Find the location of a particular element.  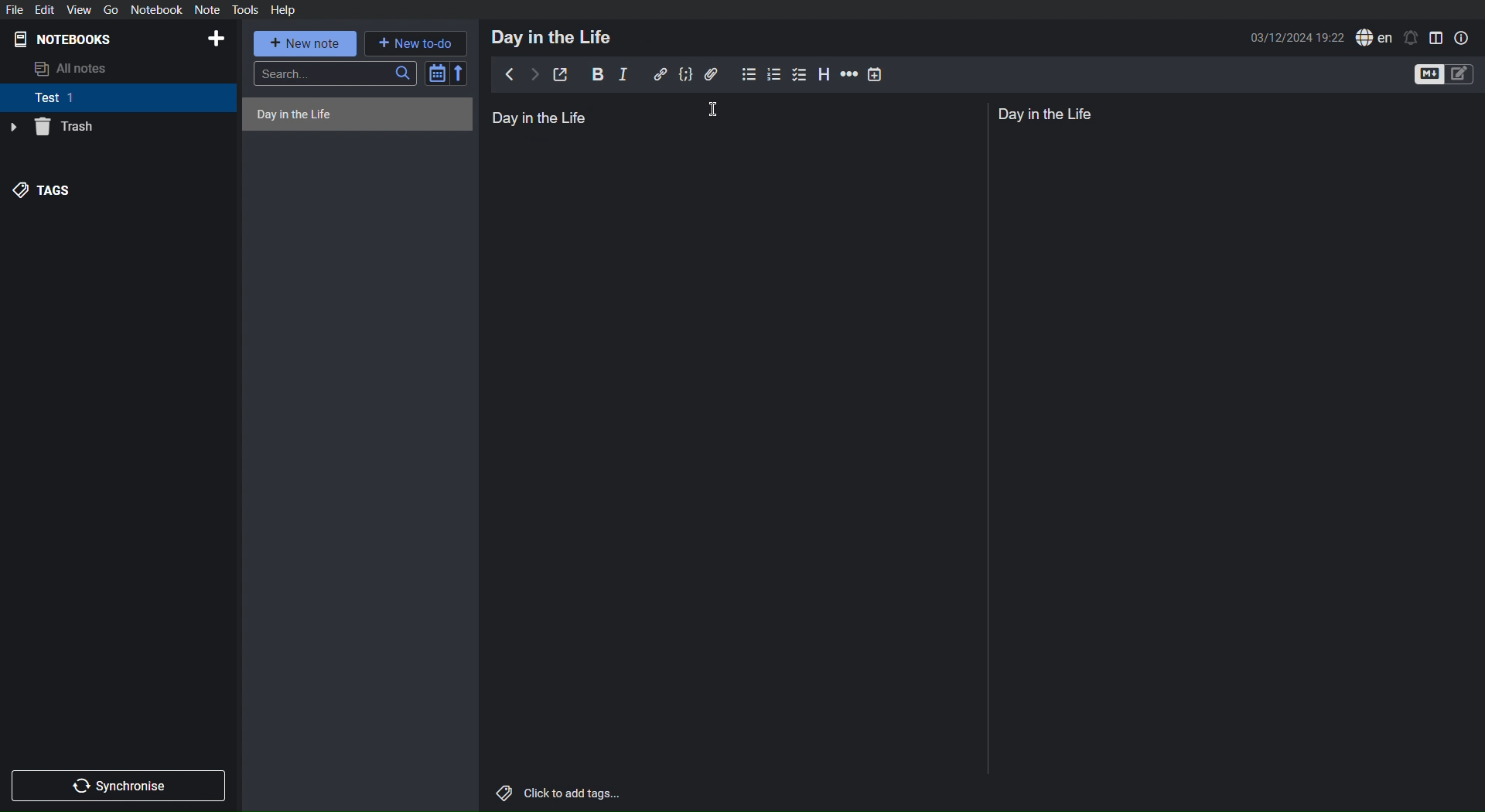

Italics is located at coordinates (623, 74).